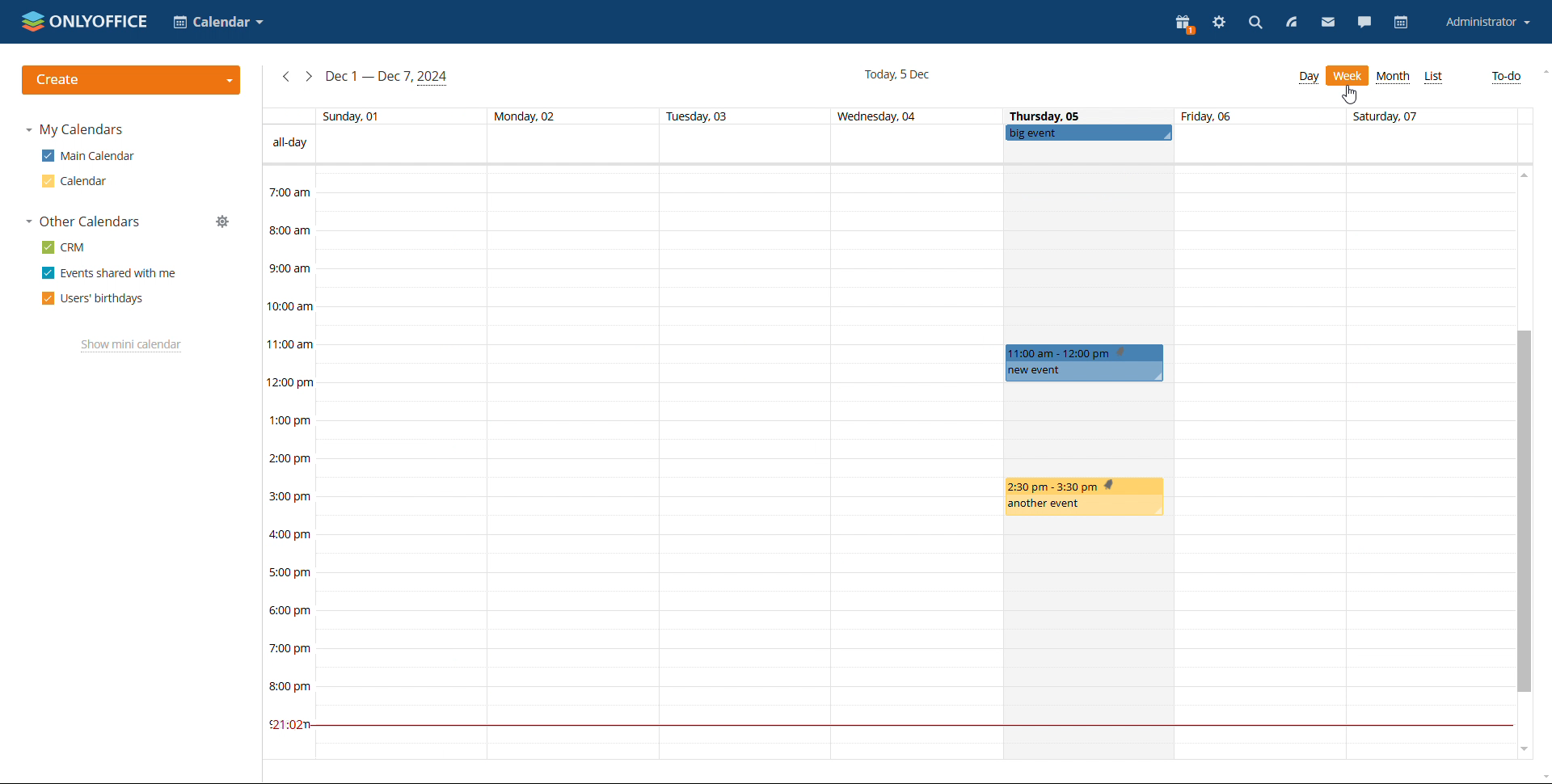 The width and height of the screenshot is (1552, 784). Describe the element at coordinates (1542, 73) in the screenshot. I see `scroll up ` at that location.